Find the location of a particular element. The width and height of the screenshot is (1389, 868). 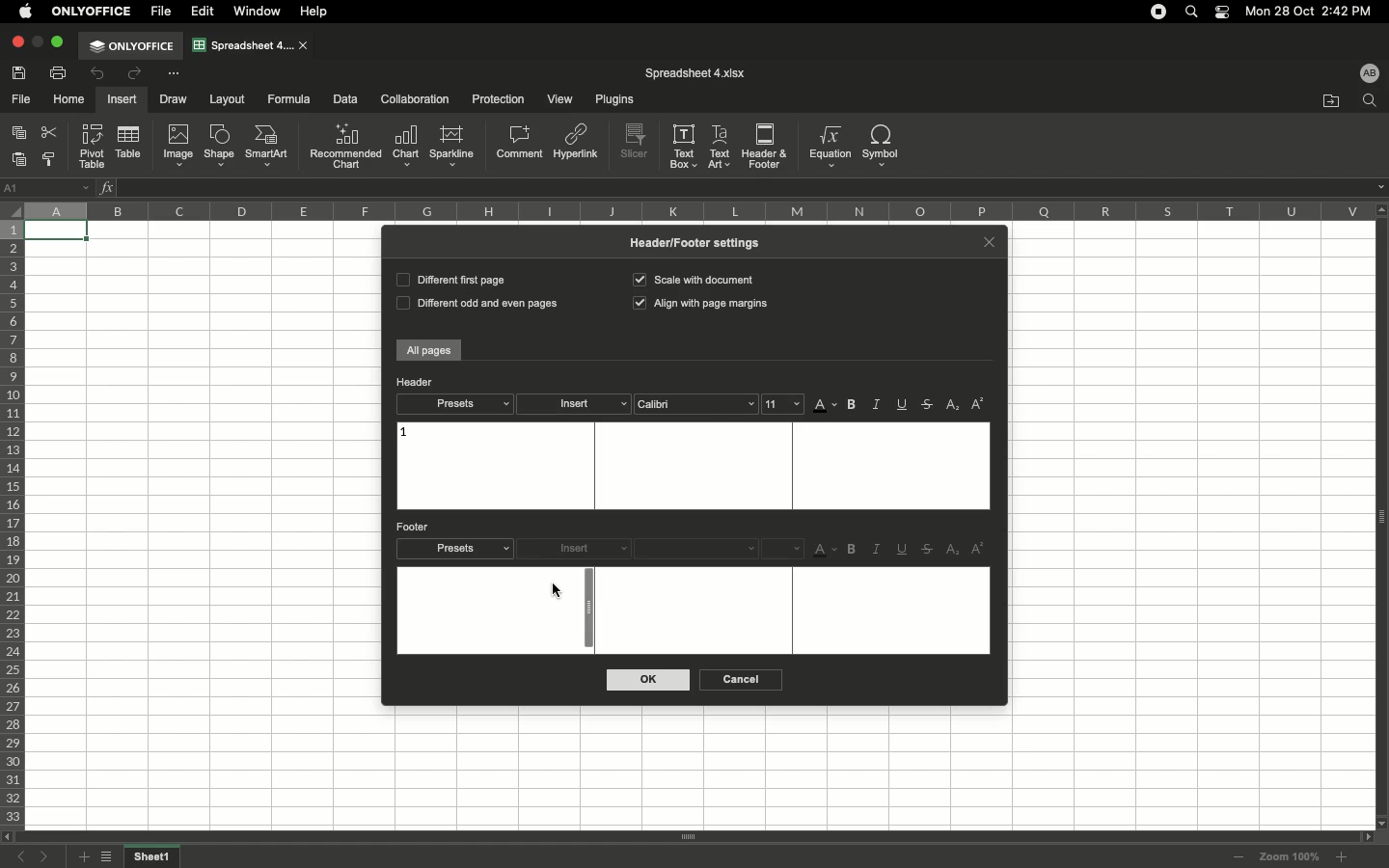

Panel is located at coordinates (1380, 517).